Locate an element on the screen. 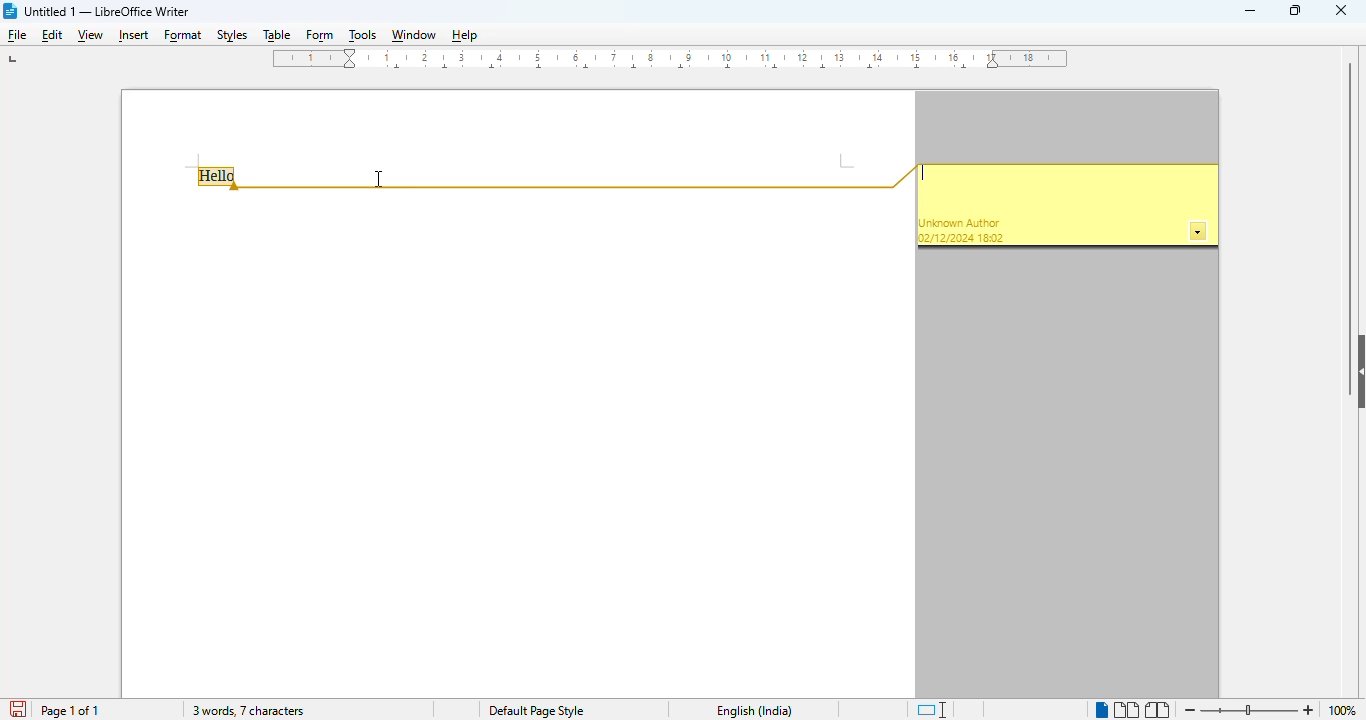 The width and height of the screenshot is (1366, 720). zoom in is located at coordinates (1308, 711).